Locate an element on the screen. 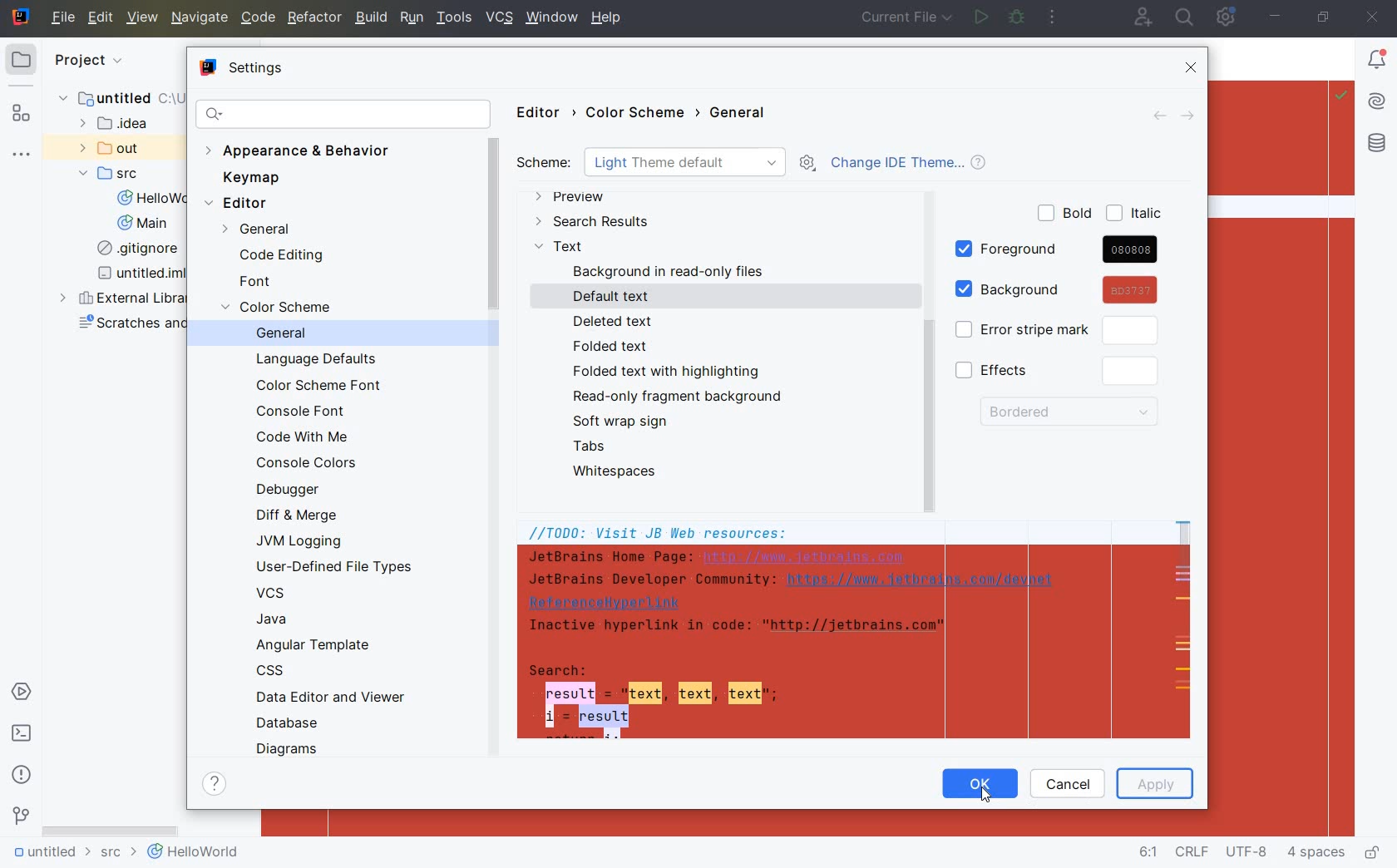 The height and width of the screenshot is (868, 1397). EFFECTS is located at coordinates (1060, 372).